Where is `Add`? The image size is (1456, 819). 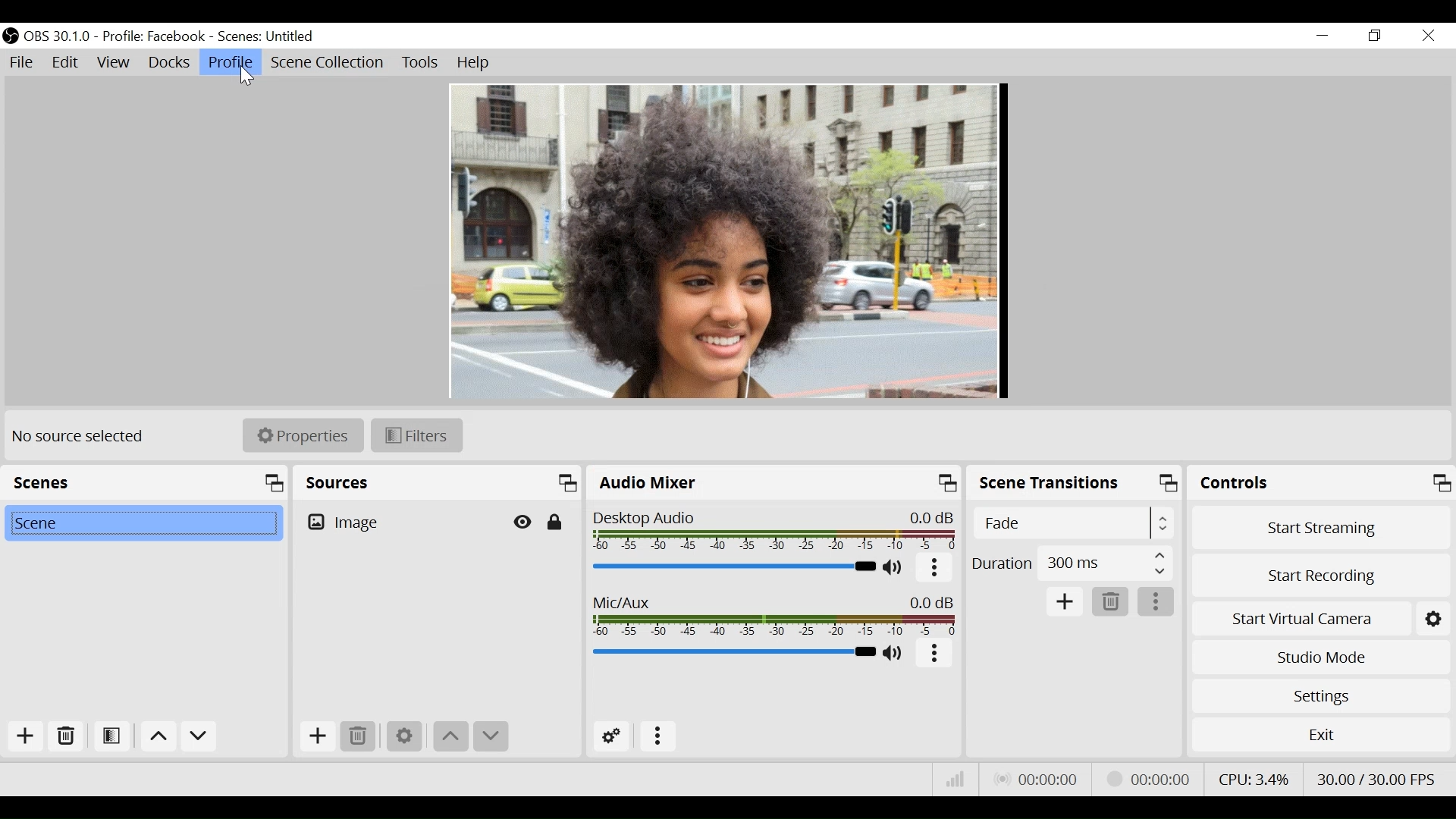 Add is located at coordinates (1066, 603).